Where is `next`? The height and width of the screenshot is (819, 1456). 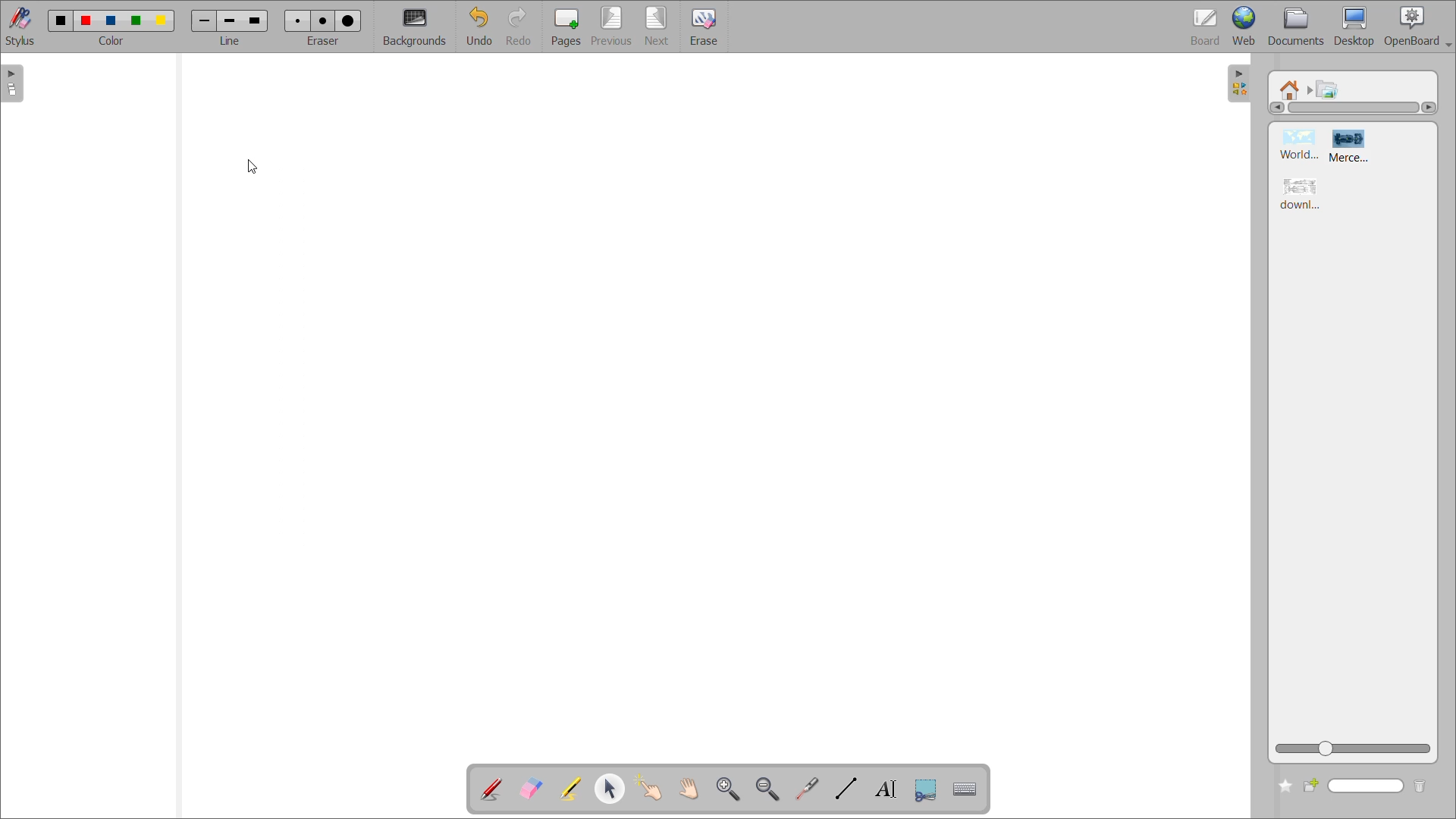 next is located at coordinates (659, 27).